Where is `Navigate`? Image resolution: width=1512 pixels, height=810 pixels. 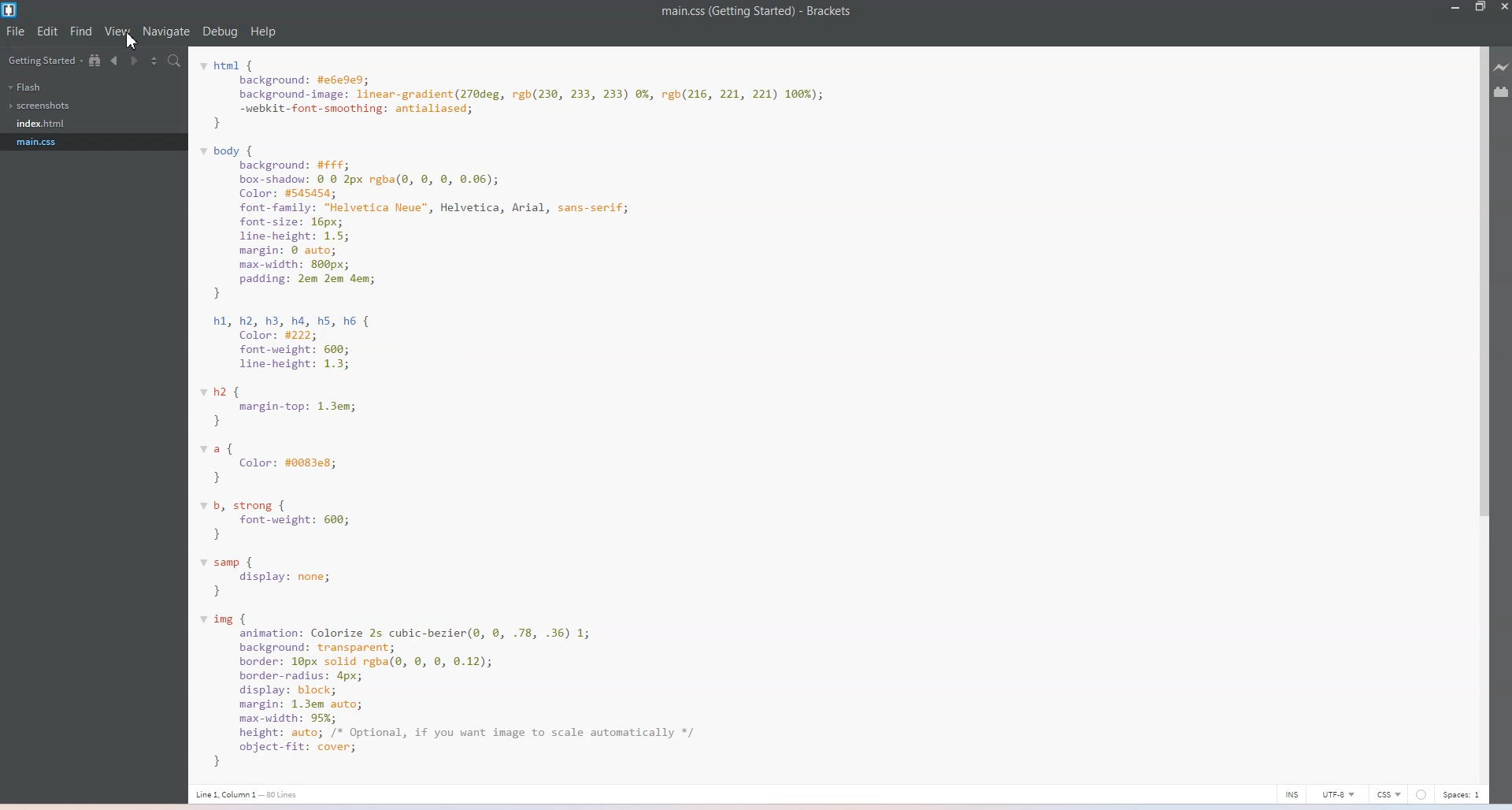
Navigate is located at coordinates (166, 32).